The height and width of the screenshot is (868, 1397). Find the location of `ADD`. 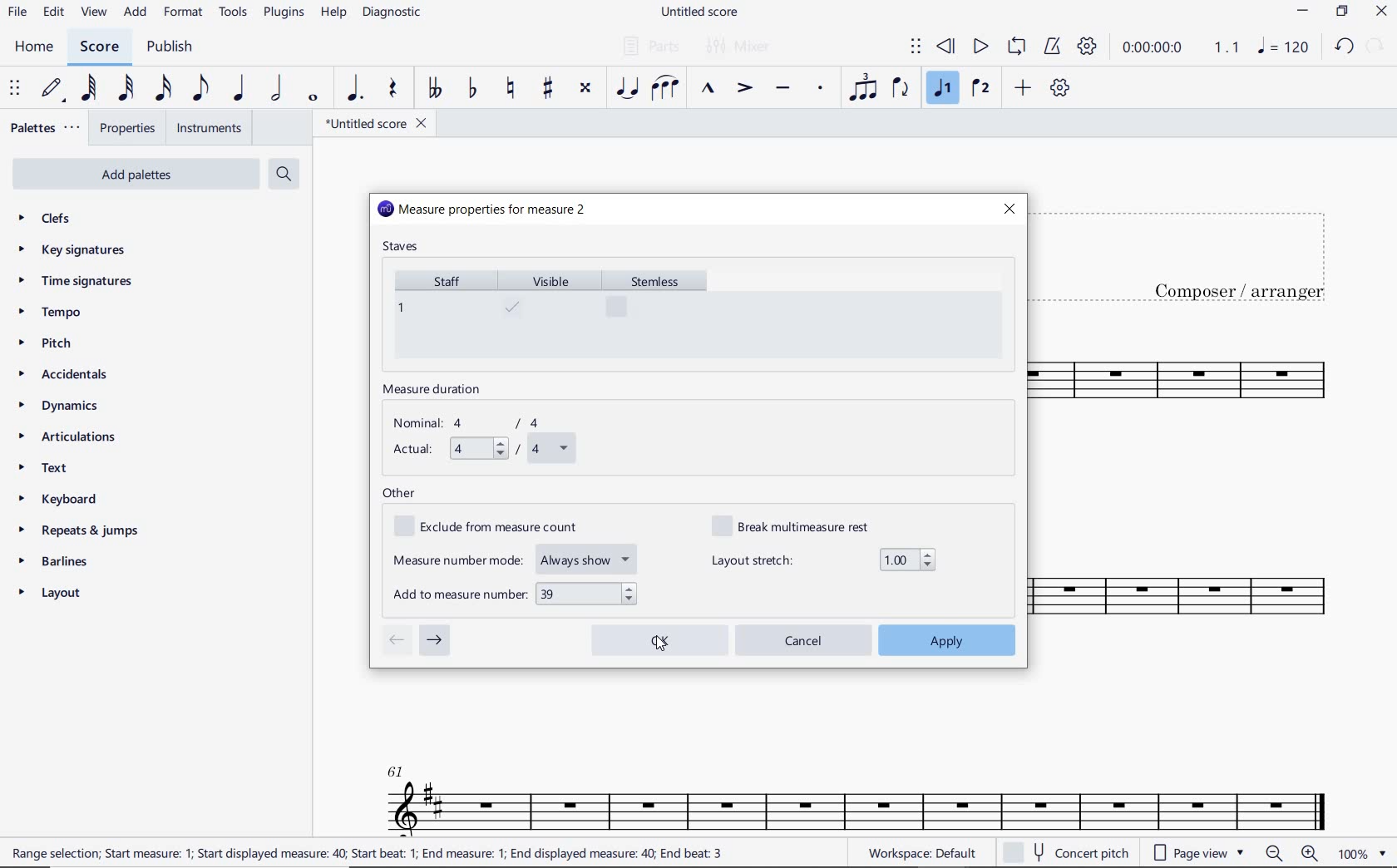

ADD is located at coordinates (136, 13).